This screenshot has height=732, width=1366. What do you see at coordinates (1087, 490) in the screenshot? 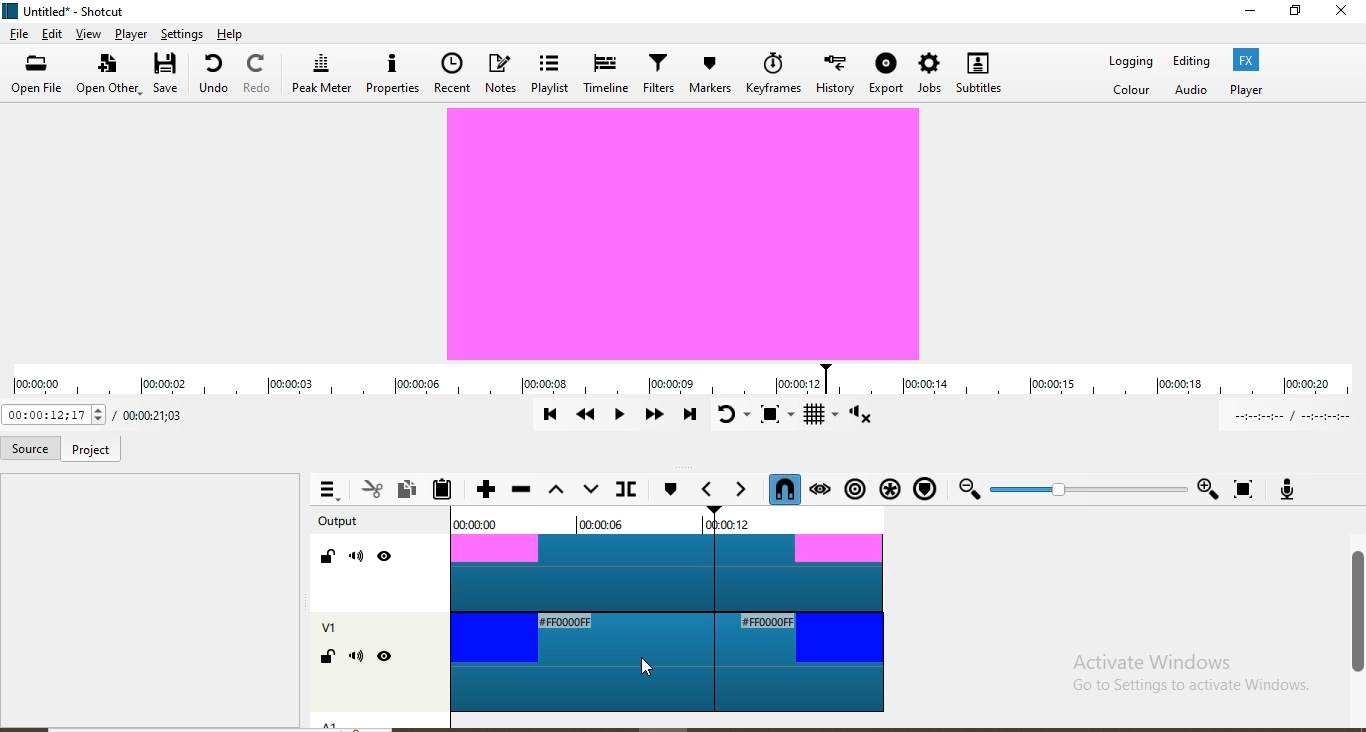
I see `Zoom slider` at bounding box center [1087, 490].